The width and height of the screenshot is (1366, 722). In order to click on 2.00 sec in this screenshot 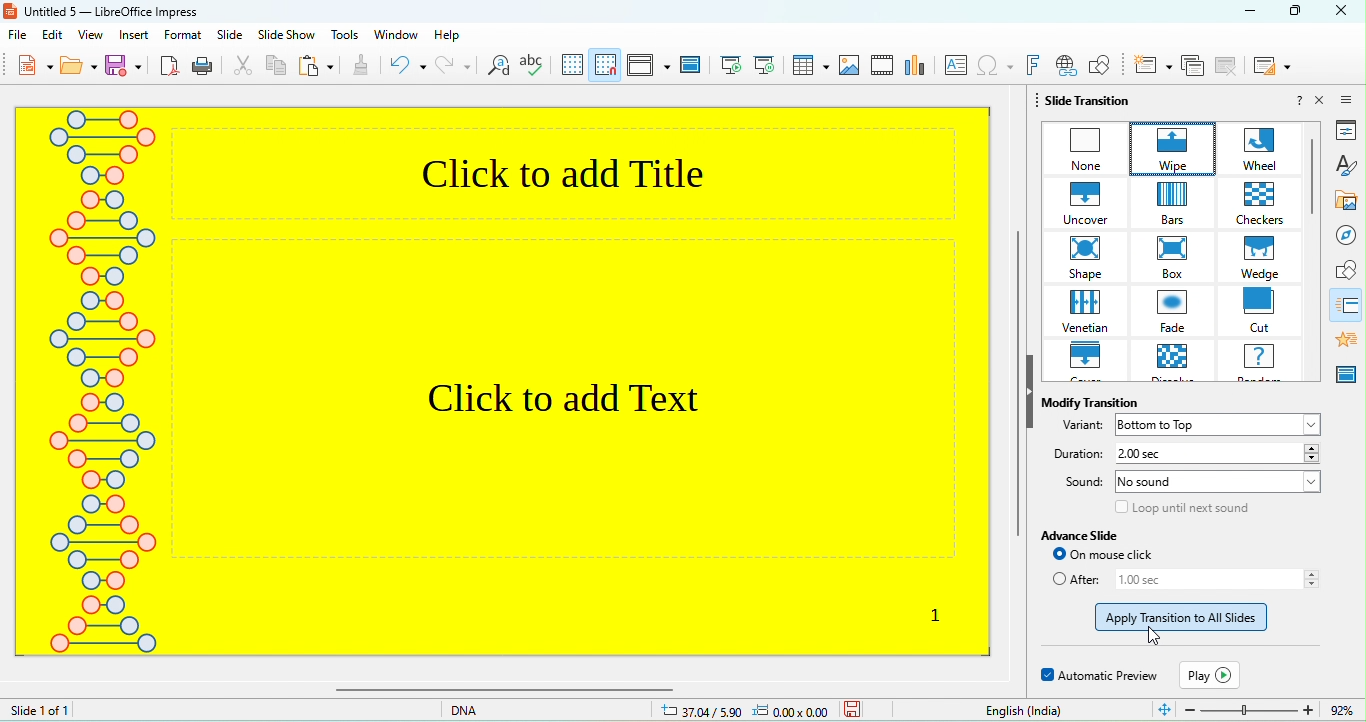, I will do `click(1215, 454)`.